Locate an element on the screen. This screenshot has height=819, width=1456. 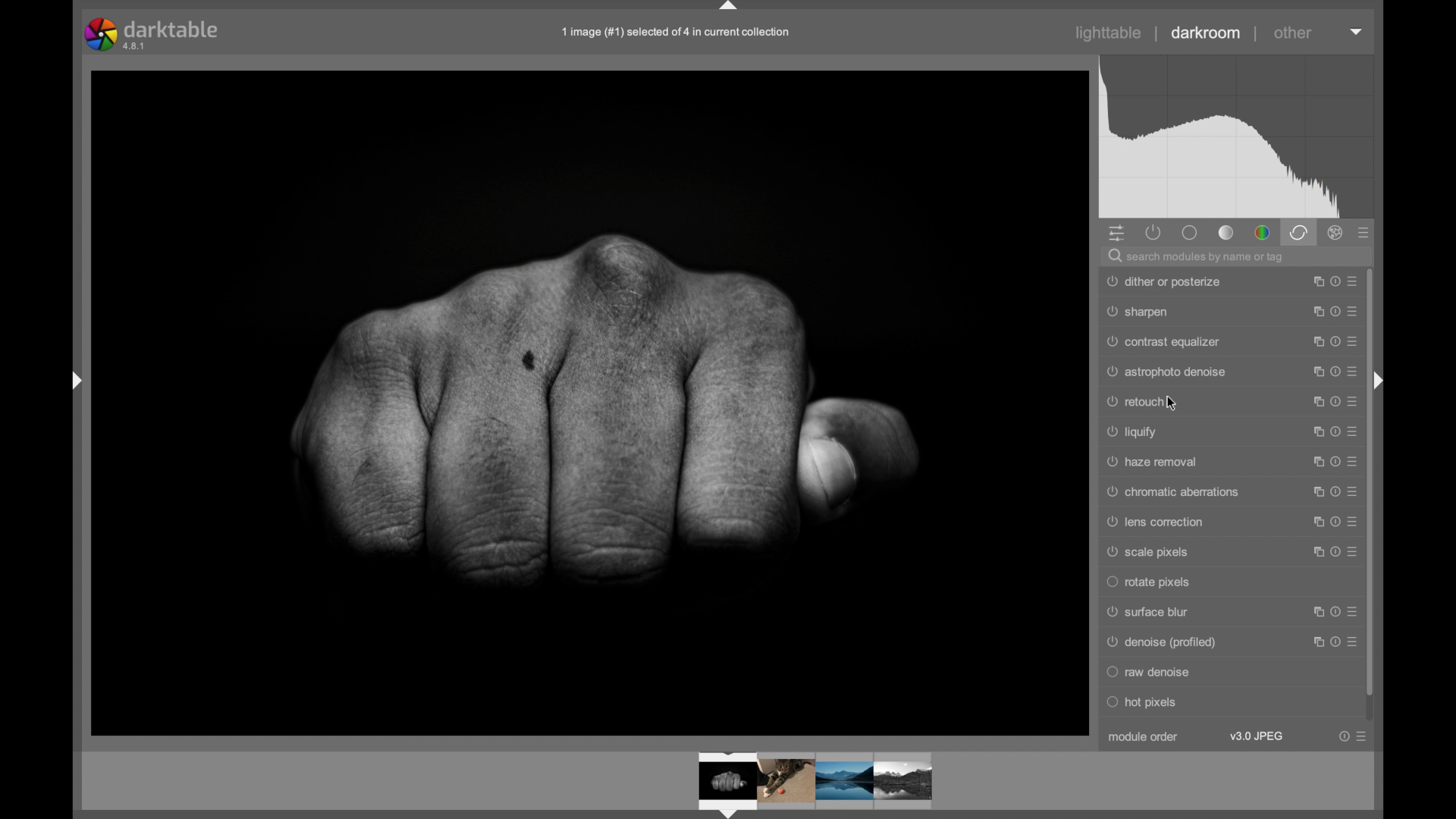
help is located at coordinates (1332, 342).